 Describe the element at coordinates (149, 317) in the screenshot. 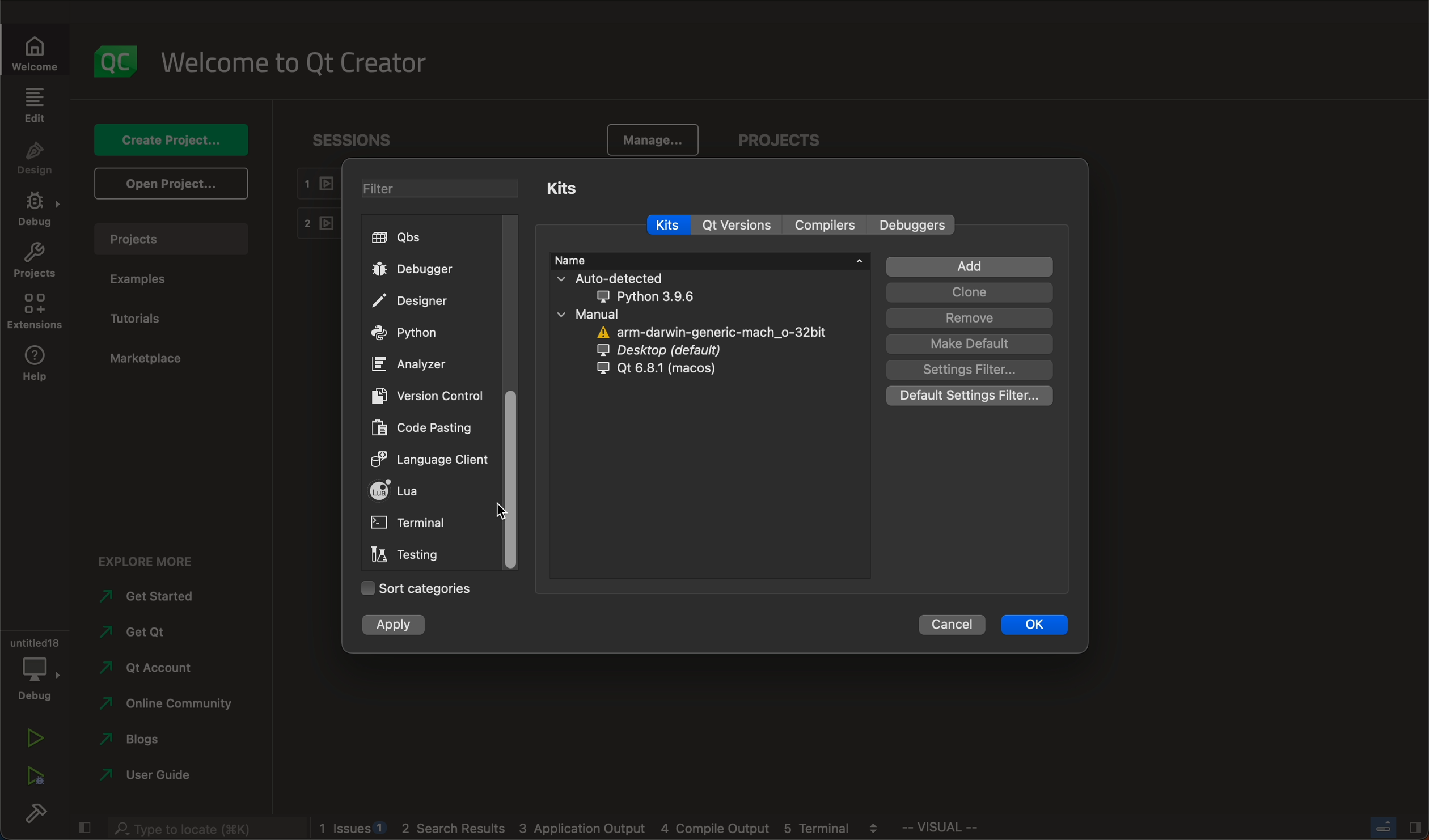

I see `tutorials` at that location.